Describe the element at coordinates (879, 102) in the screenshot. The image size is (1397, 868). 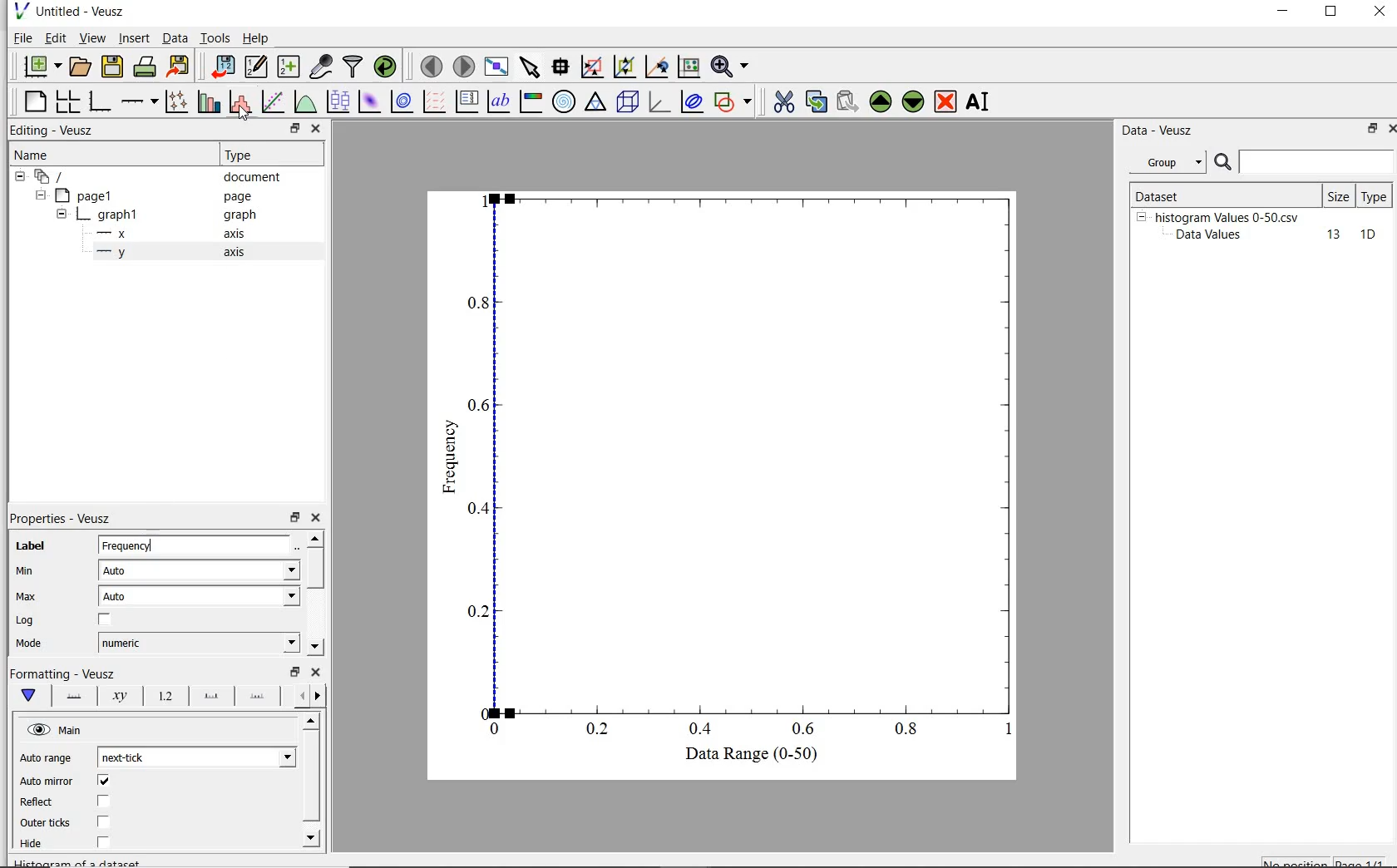
I see `move up the selected widget` at that location.